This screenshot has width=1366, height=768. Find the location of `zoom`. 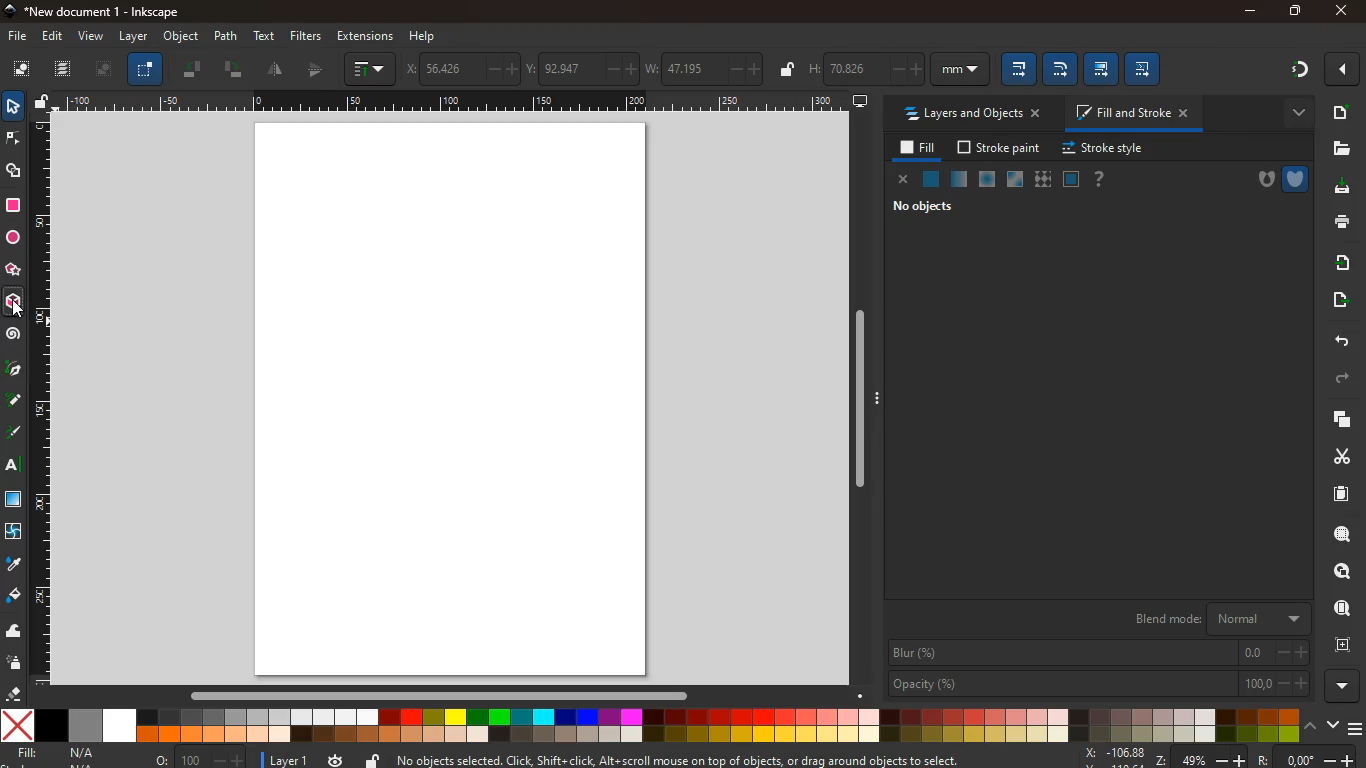

zoom is located at coordinates (1124, 756).